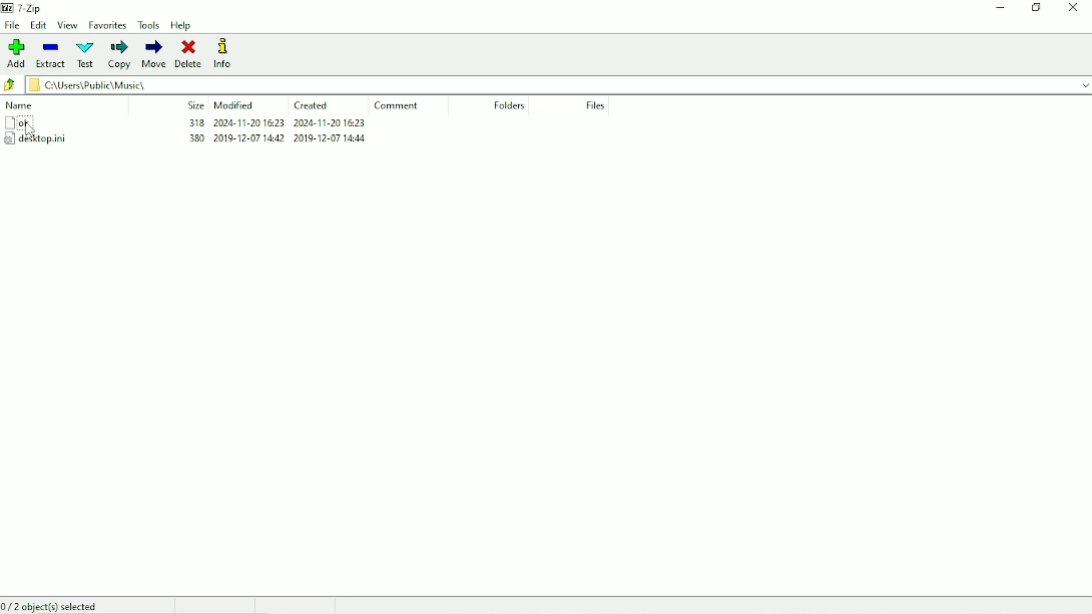  I want to click on Minimize, so click(998, 10).